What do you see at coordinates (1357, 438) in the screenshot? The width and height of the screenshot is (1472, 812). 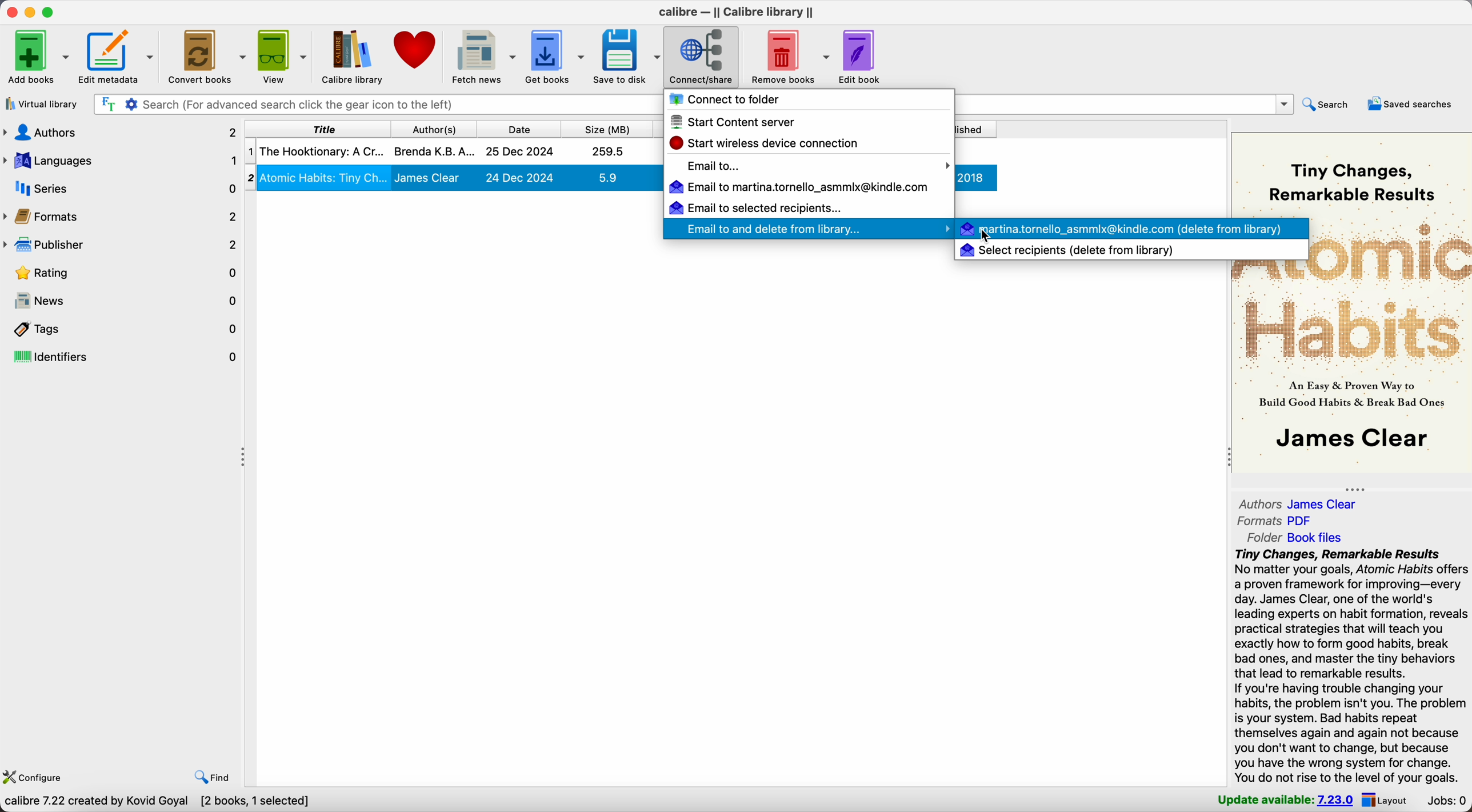 I see `James Clear` at bounding box center [1357, 438].